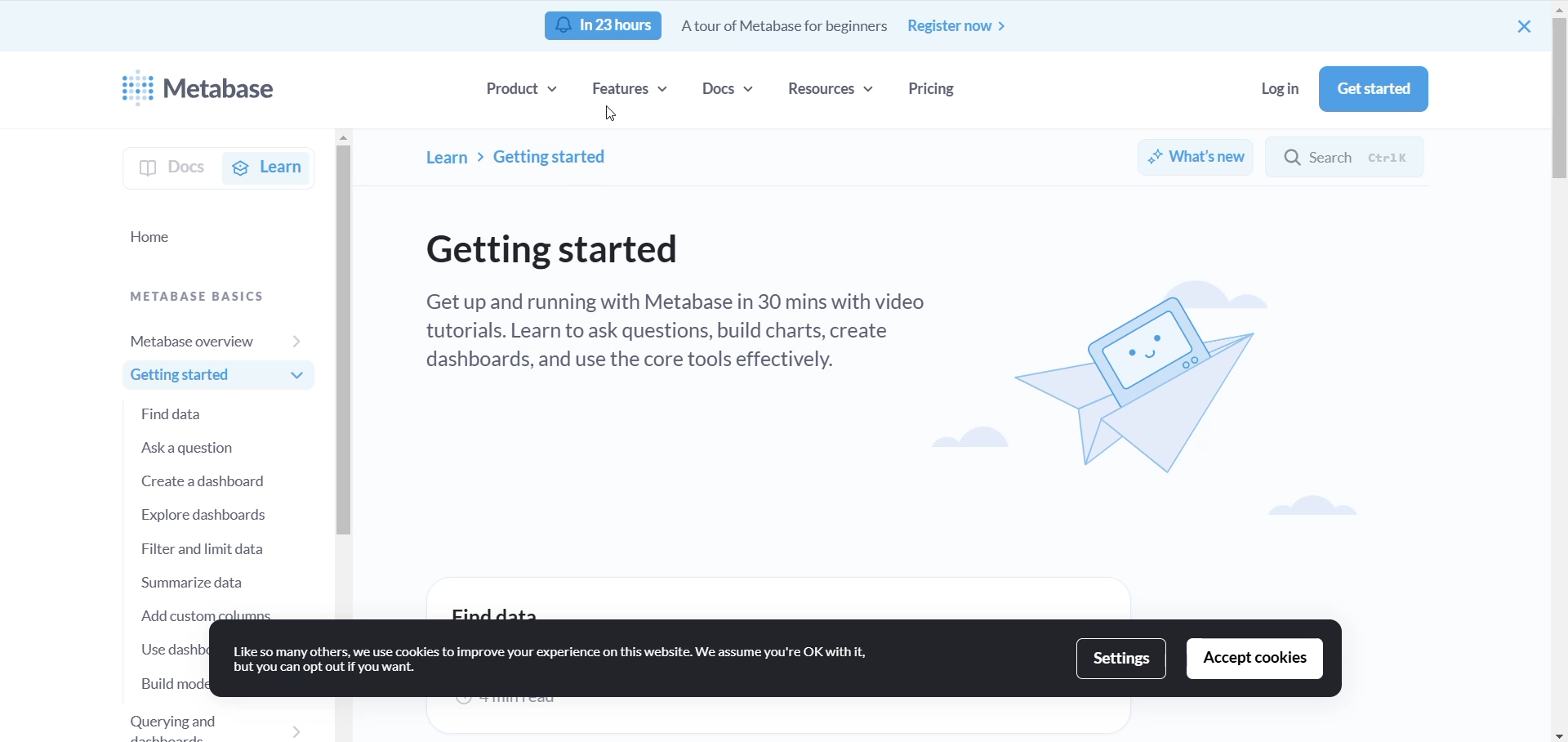 The width and height of the screenshot is (1568, 742). What do you see at coordinates (786, 28) in the screenshot?
I see `text` at bounding box center [786, 28].